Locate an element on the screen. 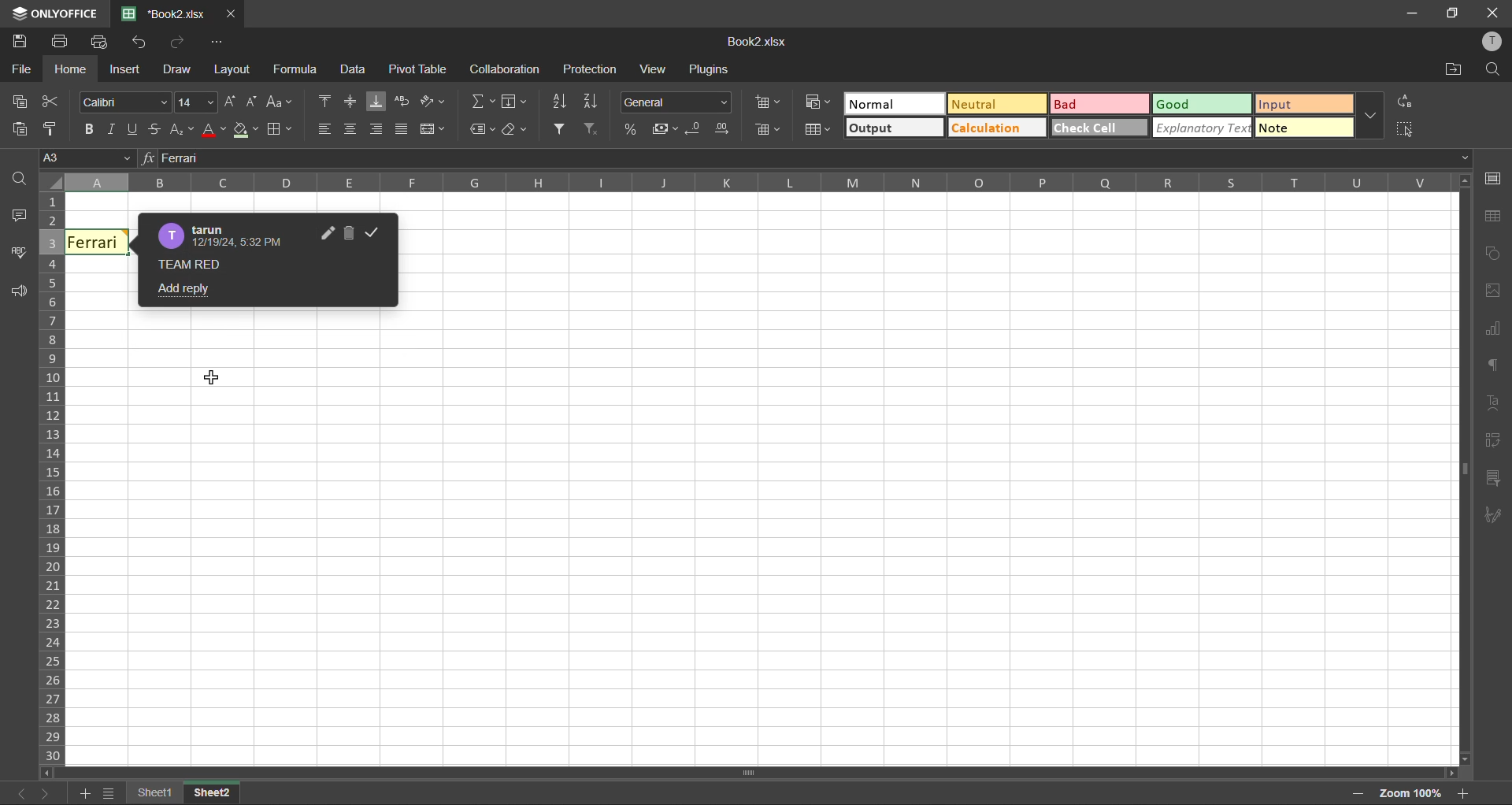 Image resolution: width=1512 pixels, height=805 pixels. format as table is located at coordinates (817, 129).